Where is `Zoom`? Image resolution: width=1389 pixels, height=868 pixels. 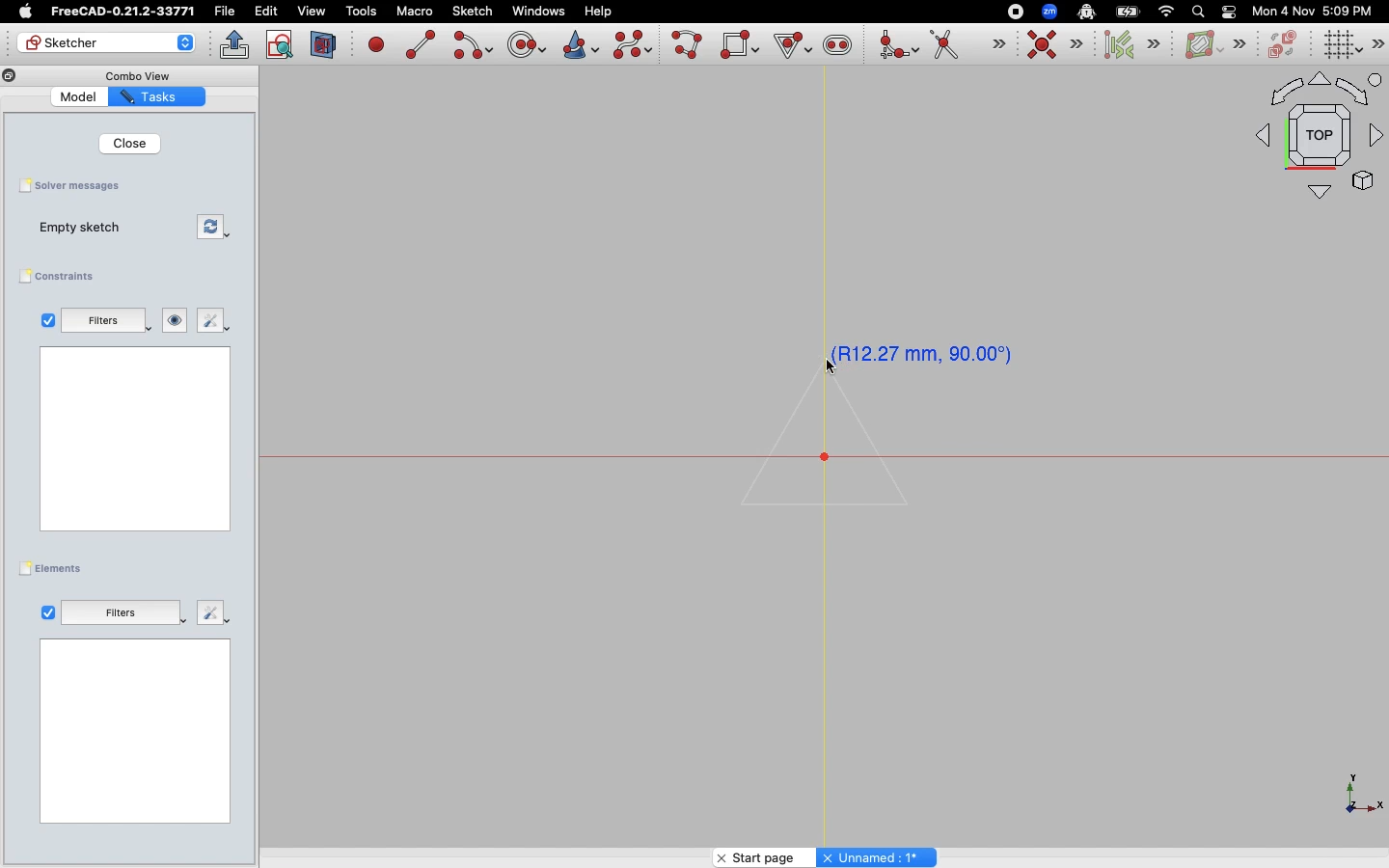 Zoom is located at coordinates (1050, 12).